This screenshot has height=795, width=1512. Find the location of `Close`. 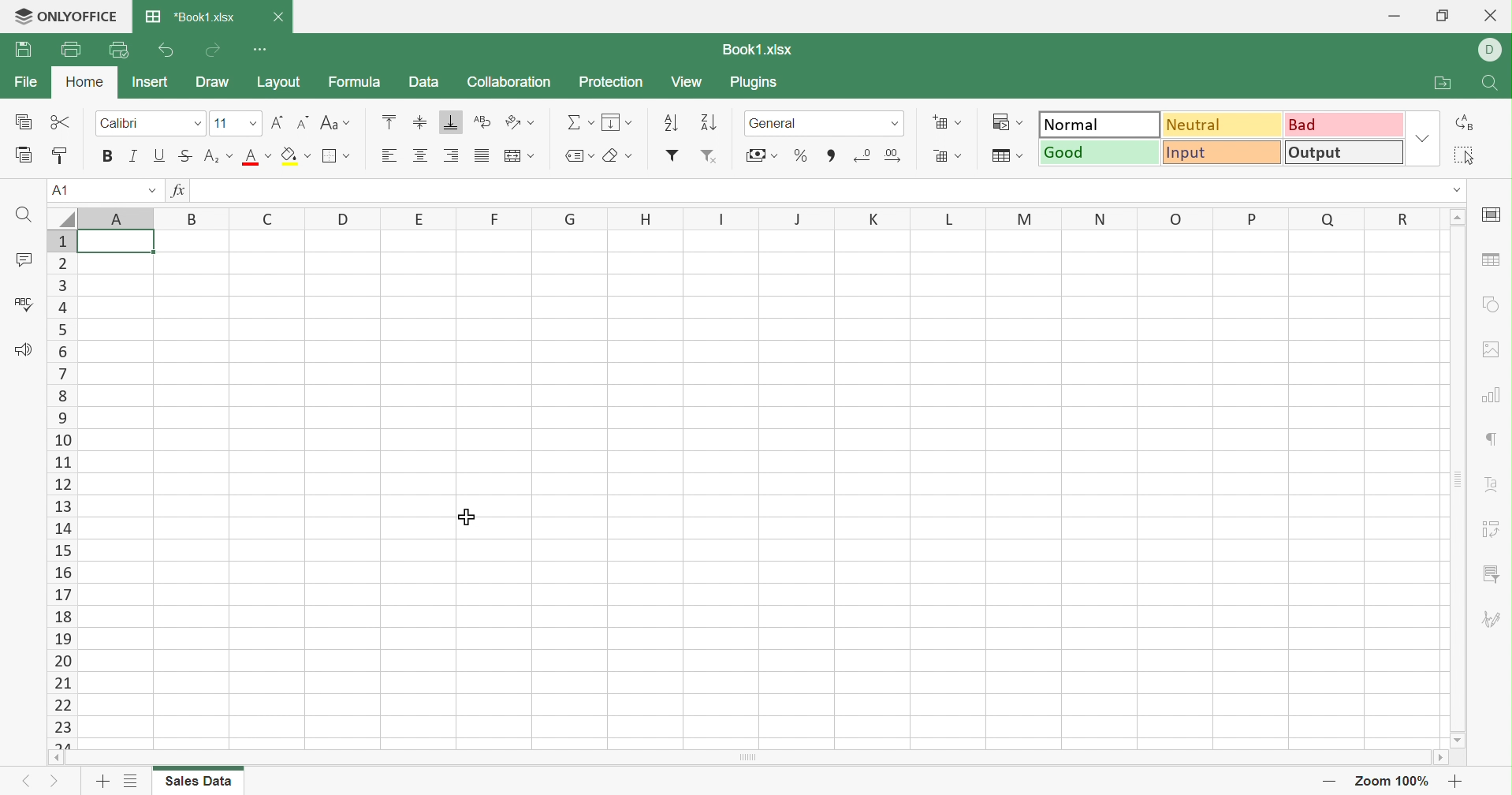

Close is located at coordinates (277, 17).